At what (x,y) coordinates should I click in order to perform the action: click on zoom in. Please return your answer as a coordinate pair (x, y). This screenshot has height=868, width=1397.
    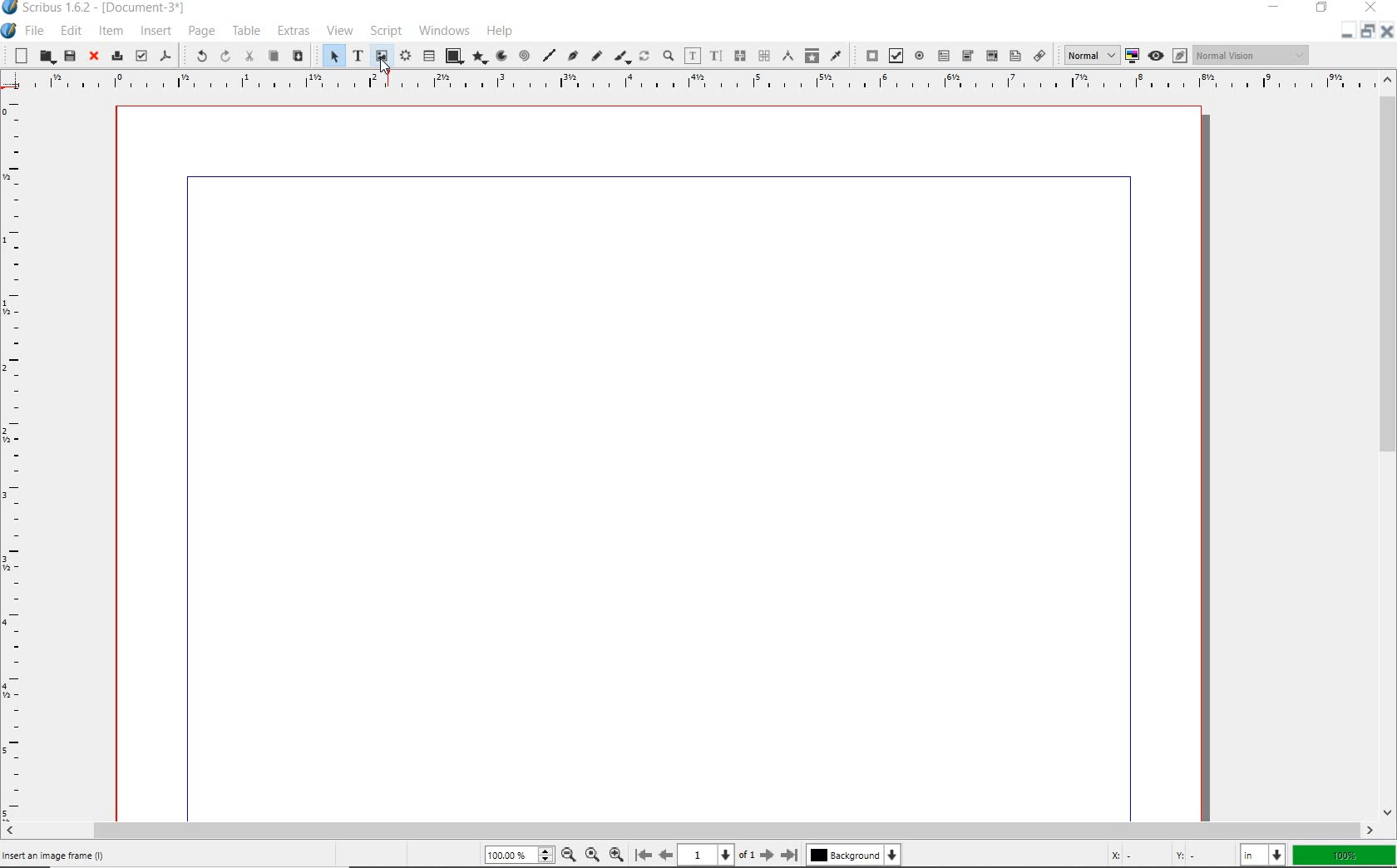
    Looking at the image, I should click on (617, 856).